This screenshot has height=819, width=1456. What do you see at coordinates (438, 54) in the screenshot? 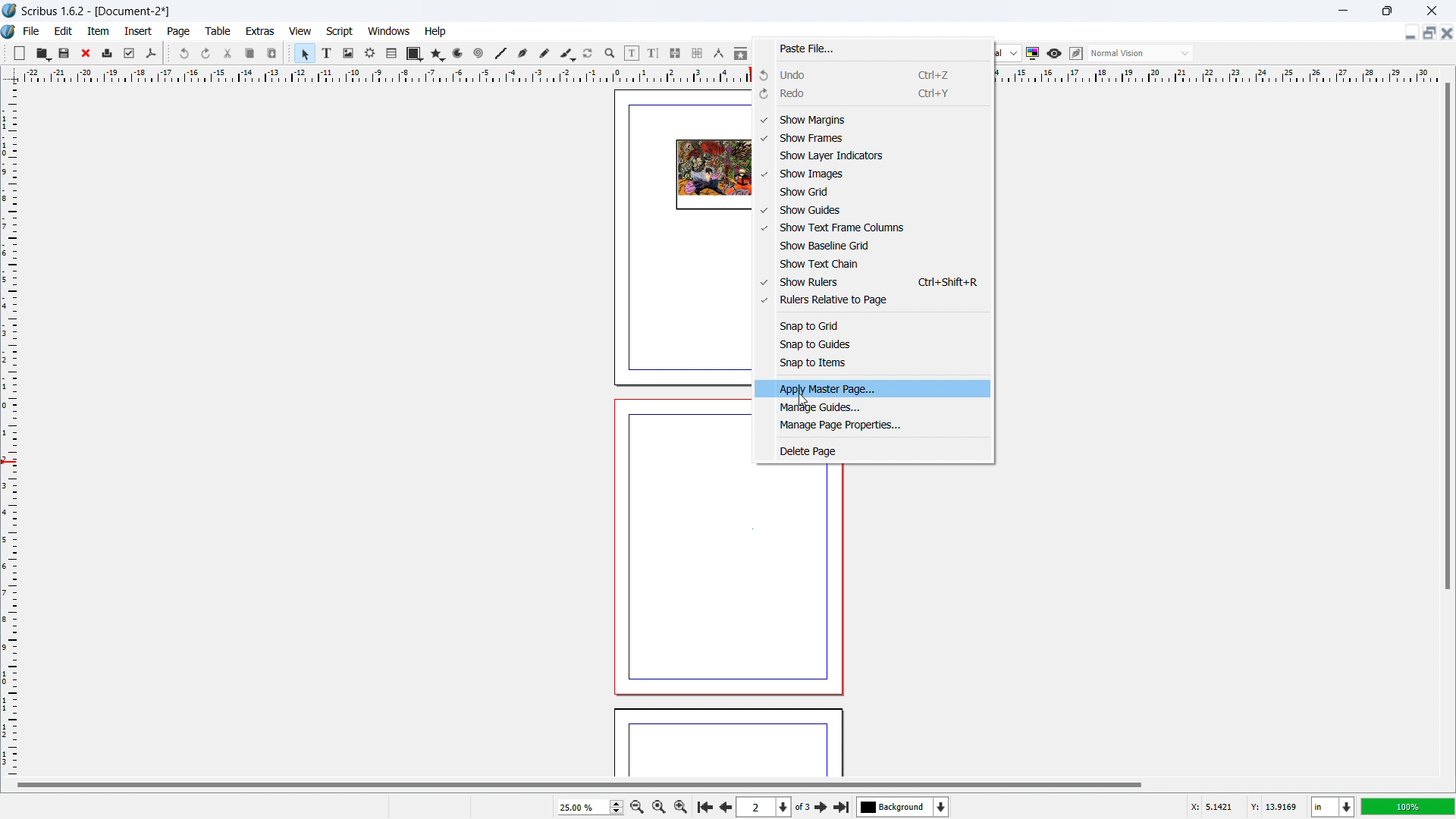
I see `polygon` at bounding box center [438, 54].